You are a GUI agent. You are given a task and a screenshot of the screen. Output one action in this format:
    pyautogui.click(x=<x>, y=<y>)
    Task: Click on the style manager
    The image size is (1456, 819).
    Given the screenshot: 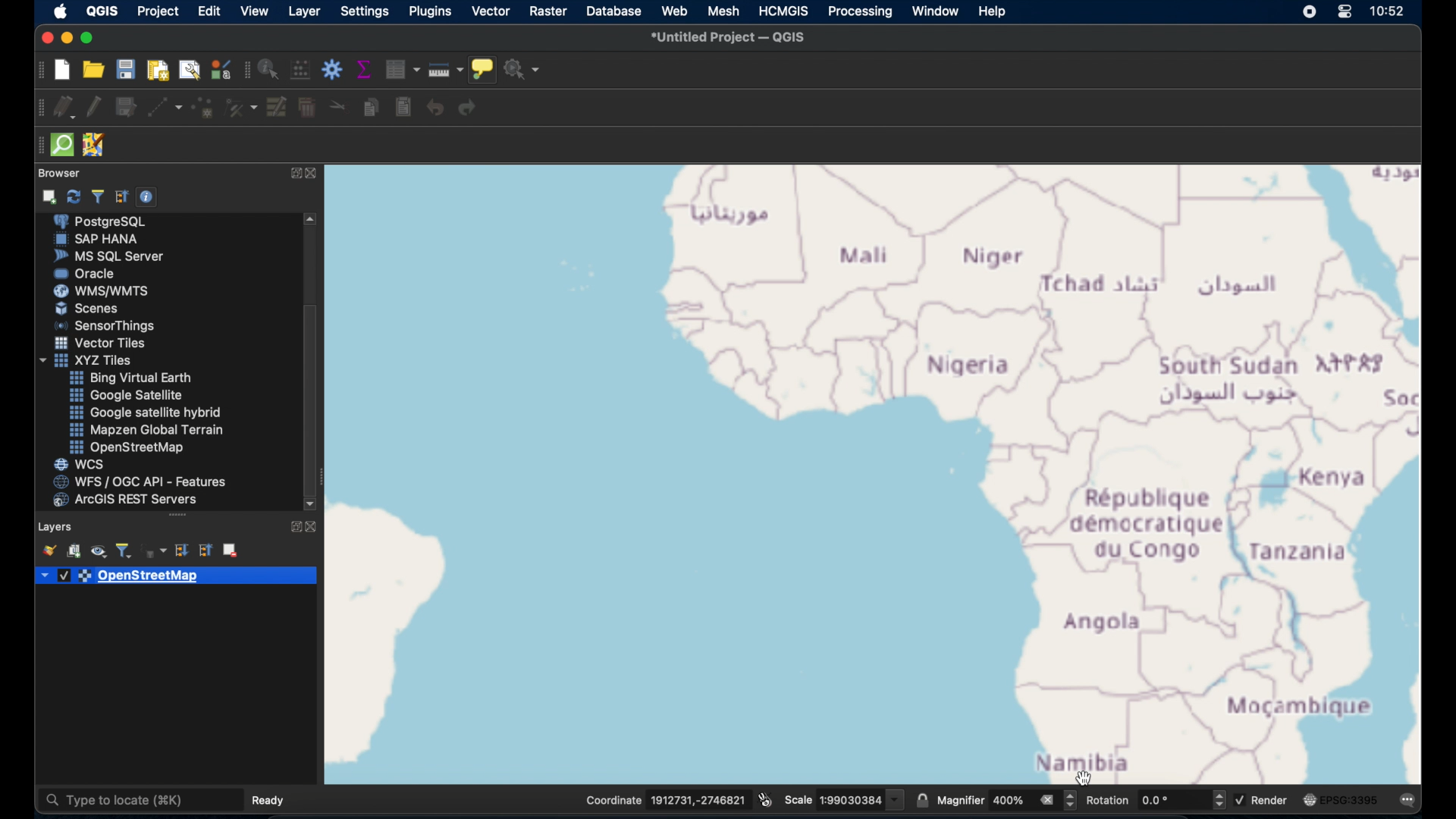 What is the action you would take?
    pyautogui.click(x=220, y=69)
    